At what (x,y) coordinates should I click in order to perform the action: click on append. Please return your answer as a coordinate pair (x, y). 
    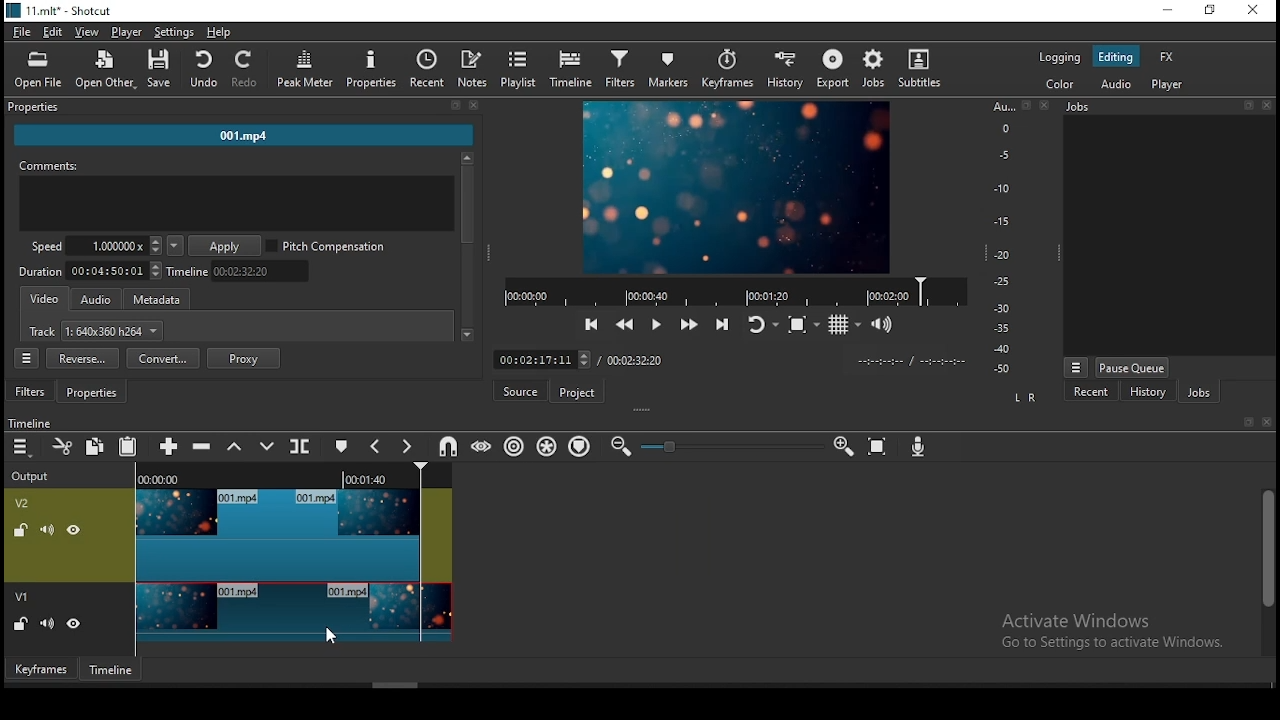
    Looking at the image, I should click on (171, 448).